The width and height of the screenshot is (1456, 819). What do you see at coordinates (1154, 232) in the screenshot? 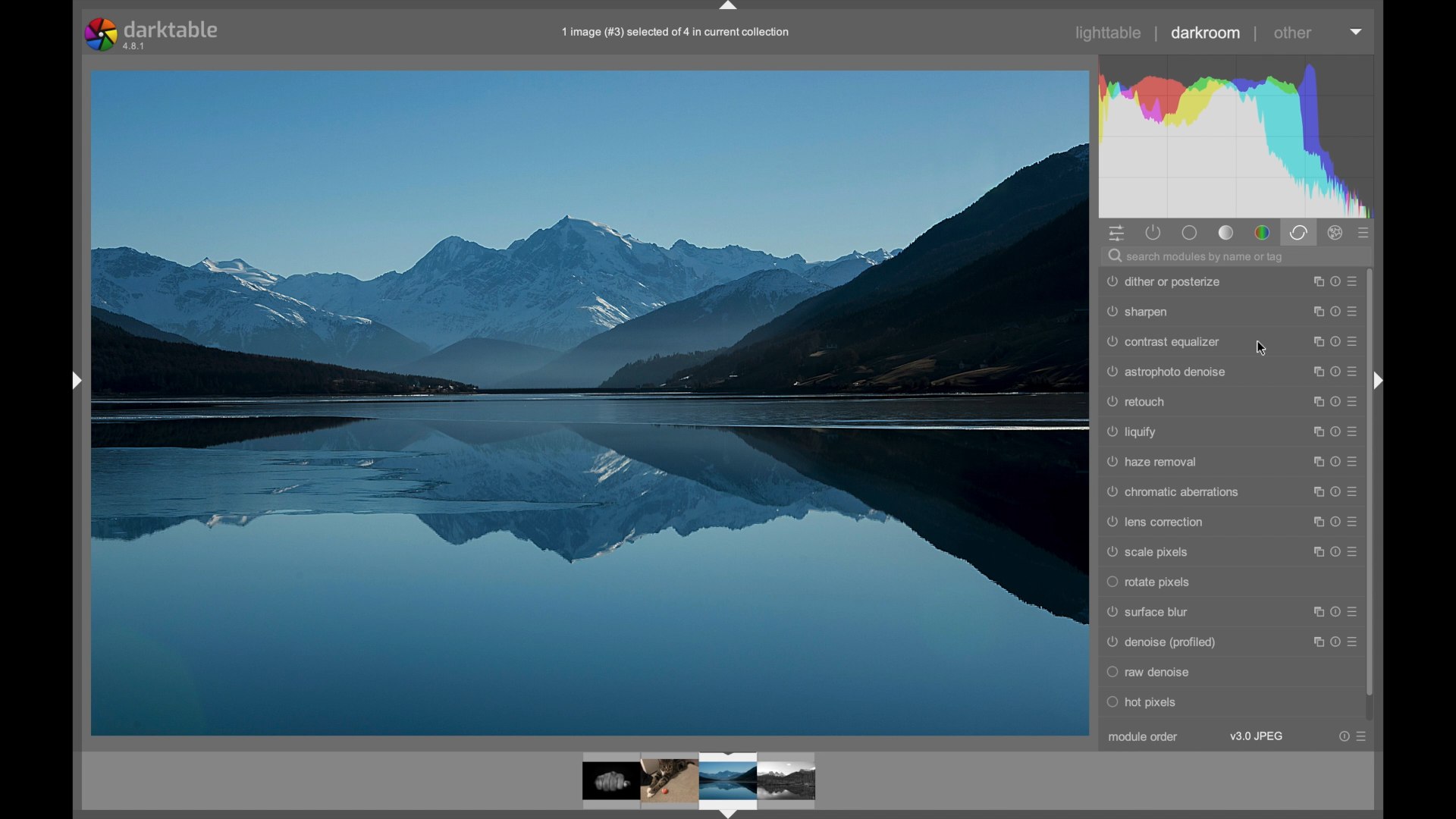
I see `show active  modules only` at bounding box center [1154, 232].